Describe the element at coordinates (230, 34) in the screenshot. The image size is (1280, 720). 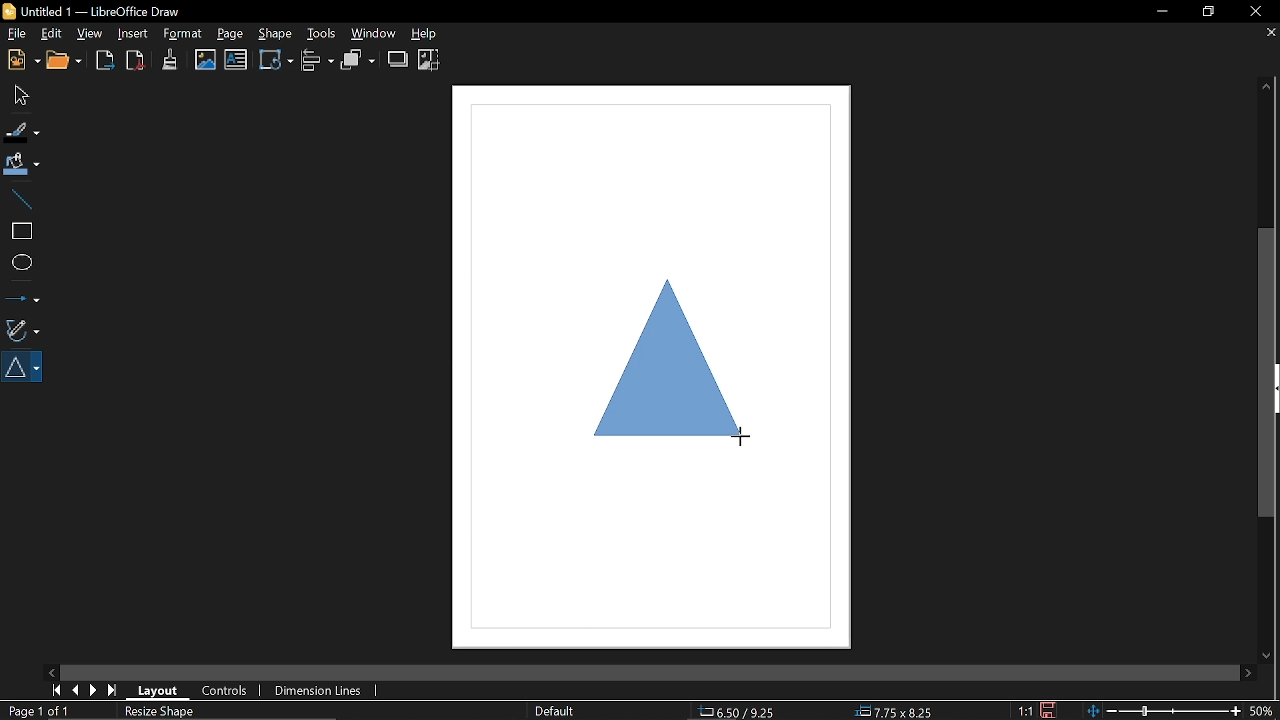
I see `Page` at that location.